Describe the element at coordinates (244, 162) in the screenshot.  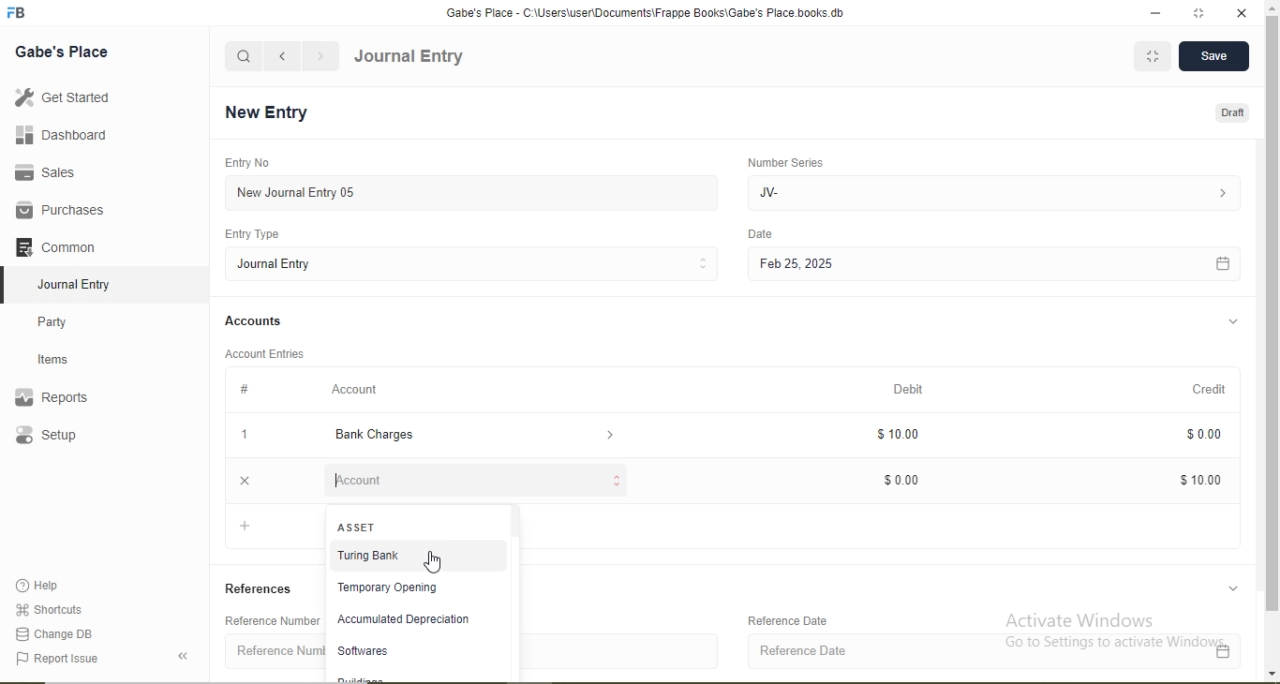
I see `Entry No` at that location.